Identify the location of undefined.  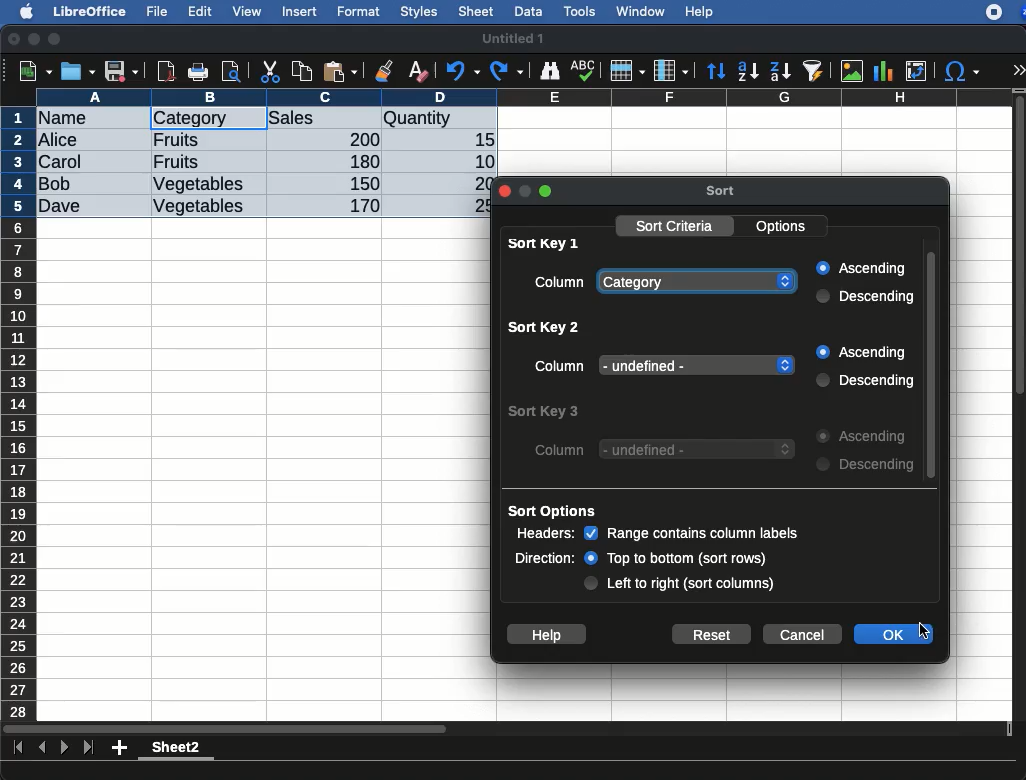
(698, 450).